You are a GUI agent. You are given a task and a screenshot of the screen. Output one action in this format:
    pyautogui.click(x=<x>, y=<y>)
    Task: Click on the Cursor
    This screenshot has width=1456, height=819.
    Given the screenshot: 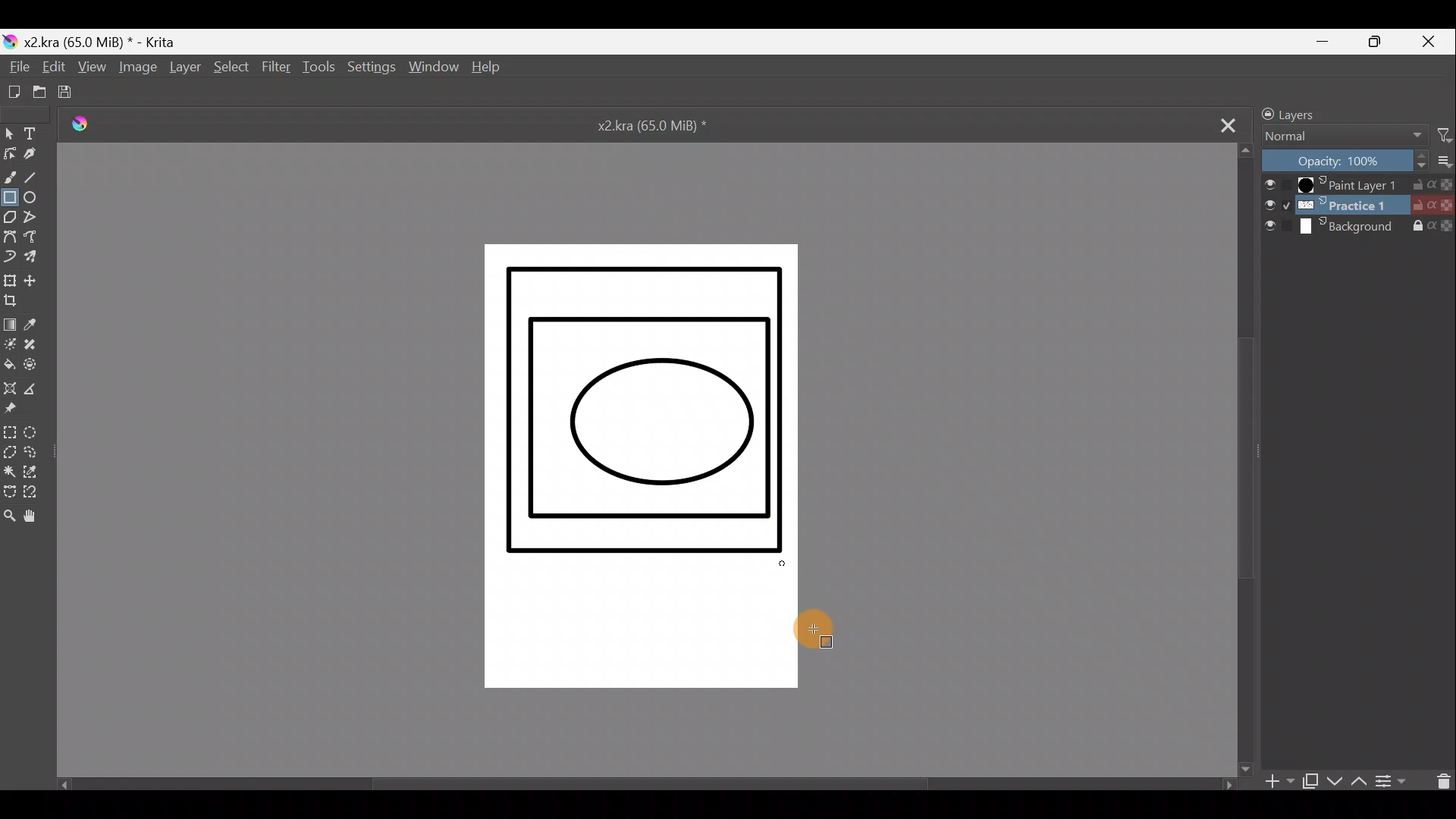 What is the action you would take?
    pyautogui.click(x=814, y=630)
    